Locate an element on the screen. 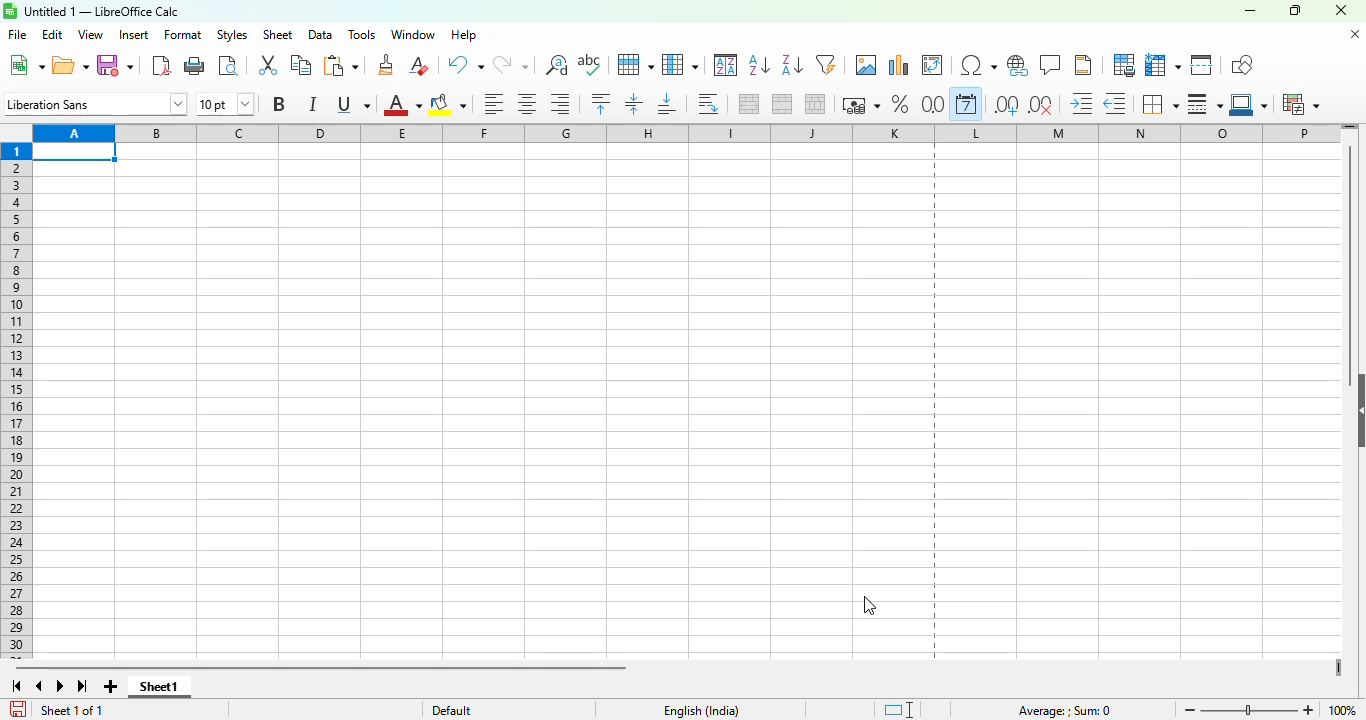  clone formatting is located at coordinates (387, 65).